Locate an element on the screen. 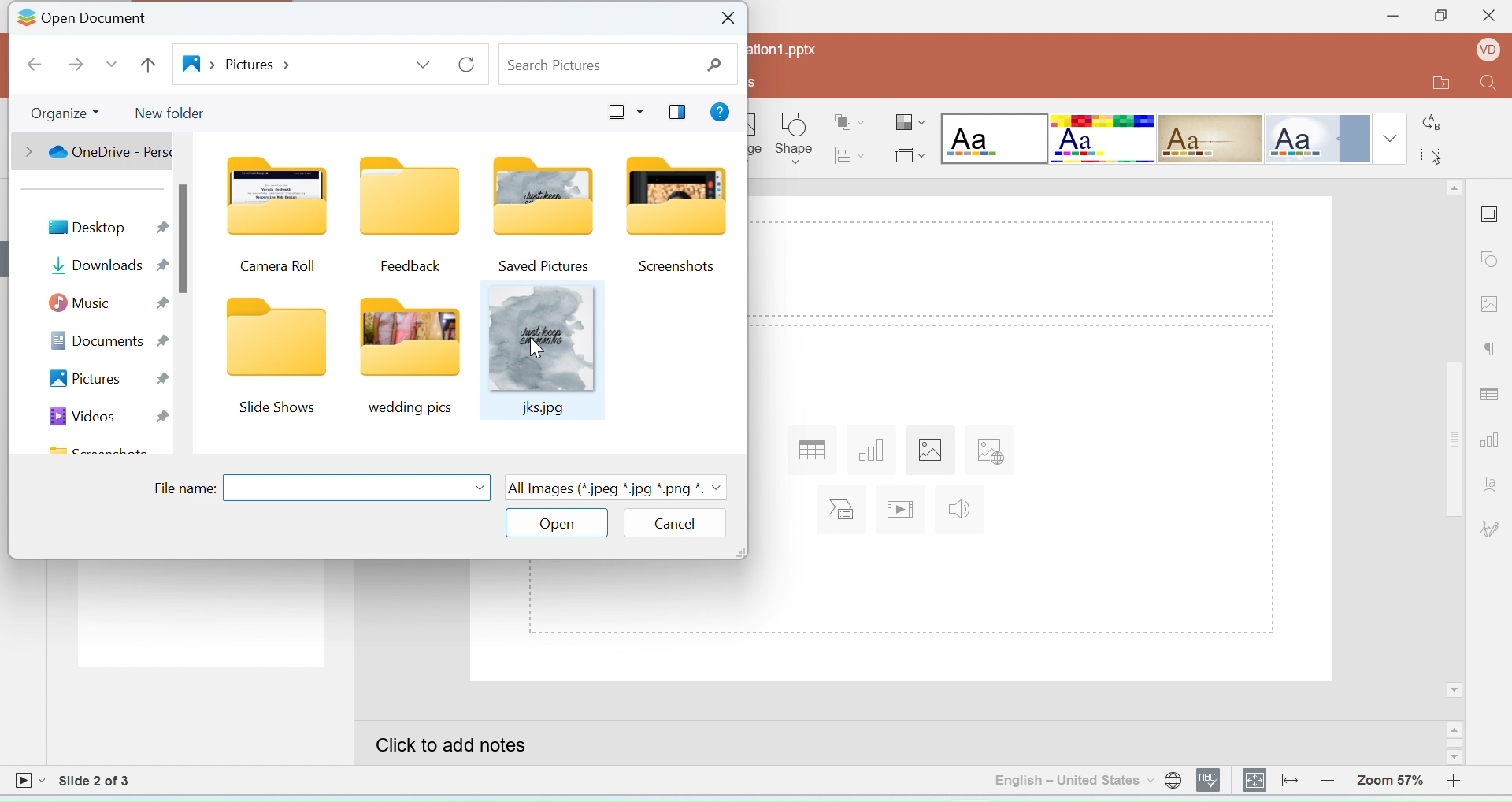 Image resolution: width=1512 pixels, height=802 pixels. search bar is located at coordinates (617, 65).